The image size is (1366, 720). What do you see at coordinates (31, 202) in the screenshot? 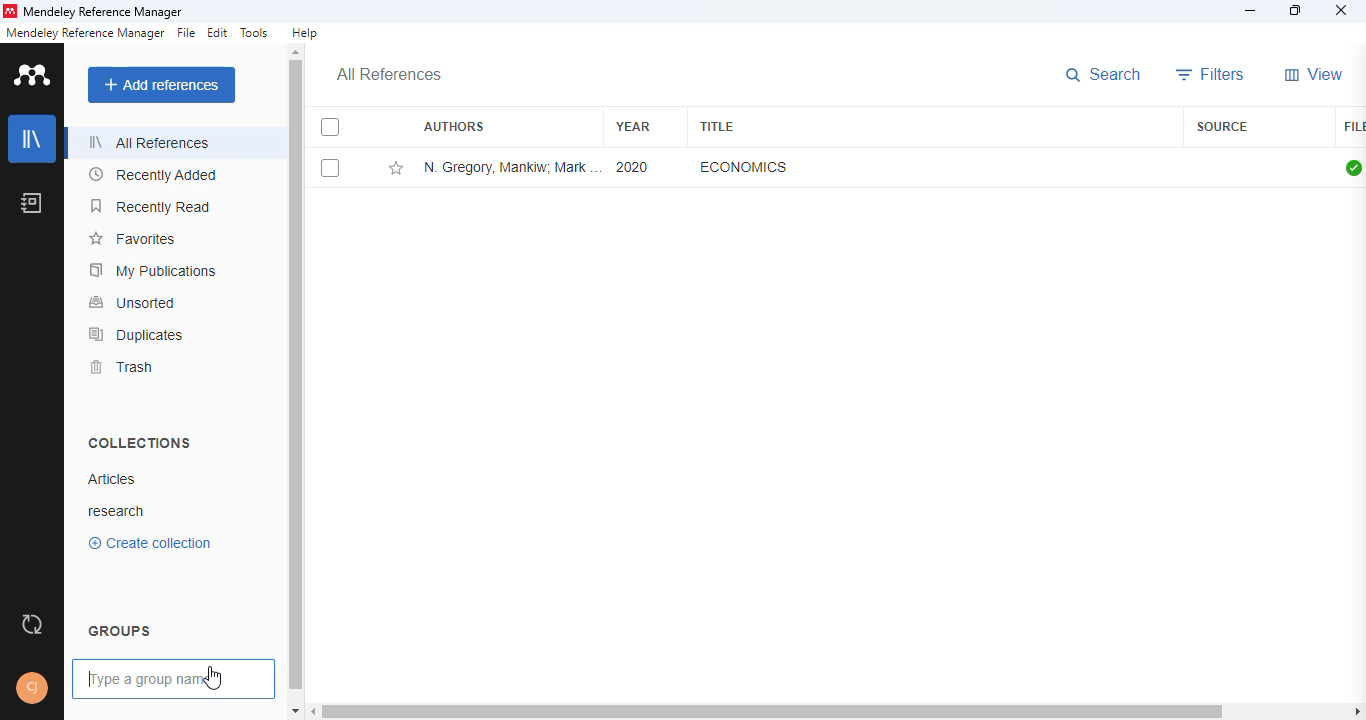
I see `notebook` at bounding box center [31, 202].